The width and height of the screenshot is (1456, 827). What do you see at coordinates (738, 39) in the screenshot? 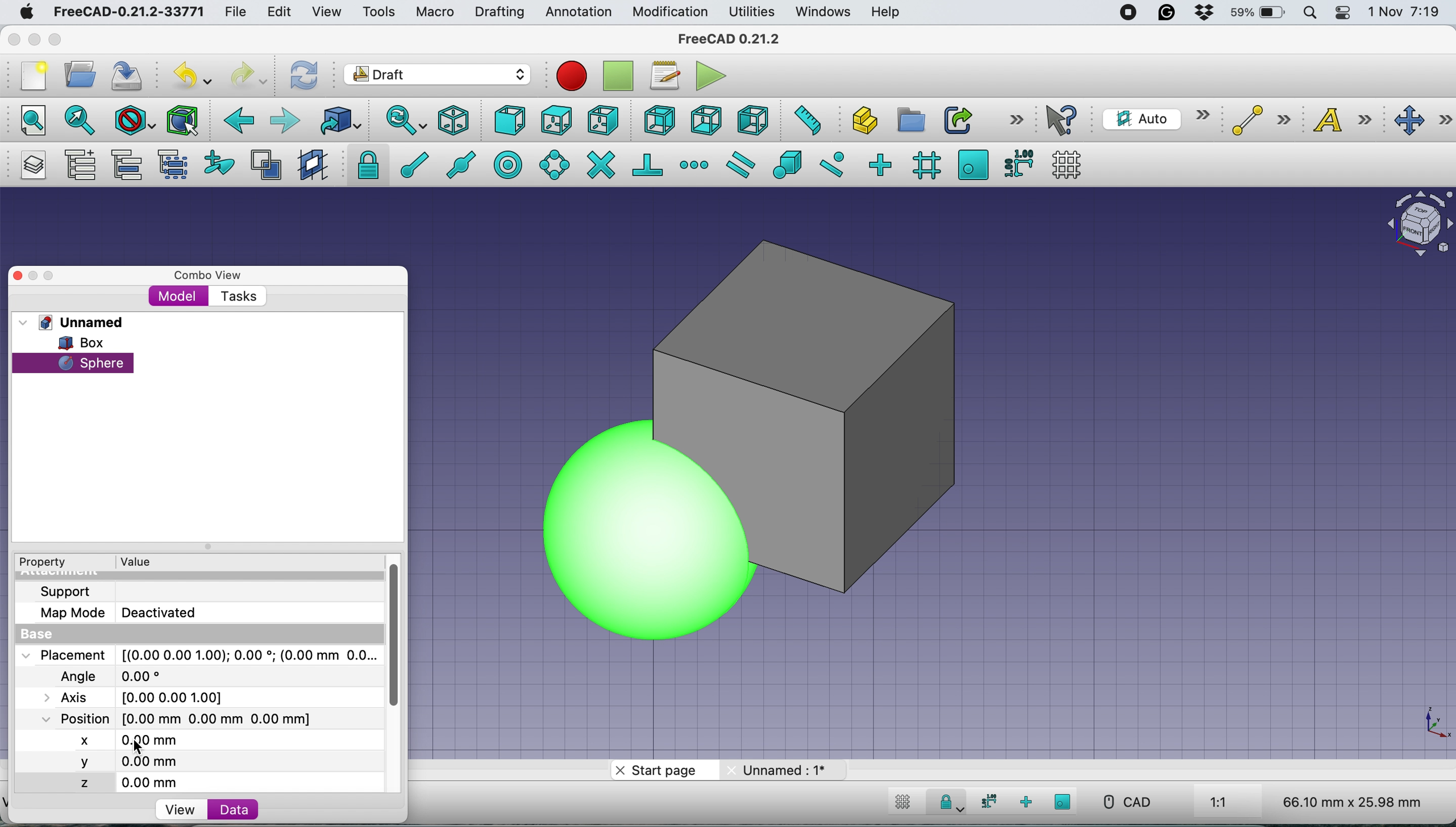
I see `freecad` at bounding box center [738, 39].